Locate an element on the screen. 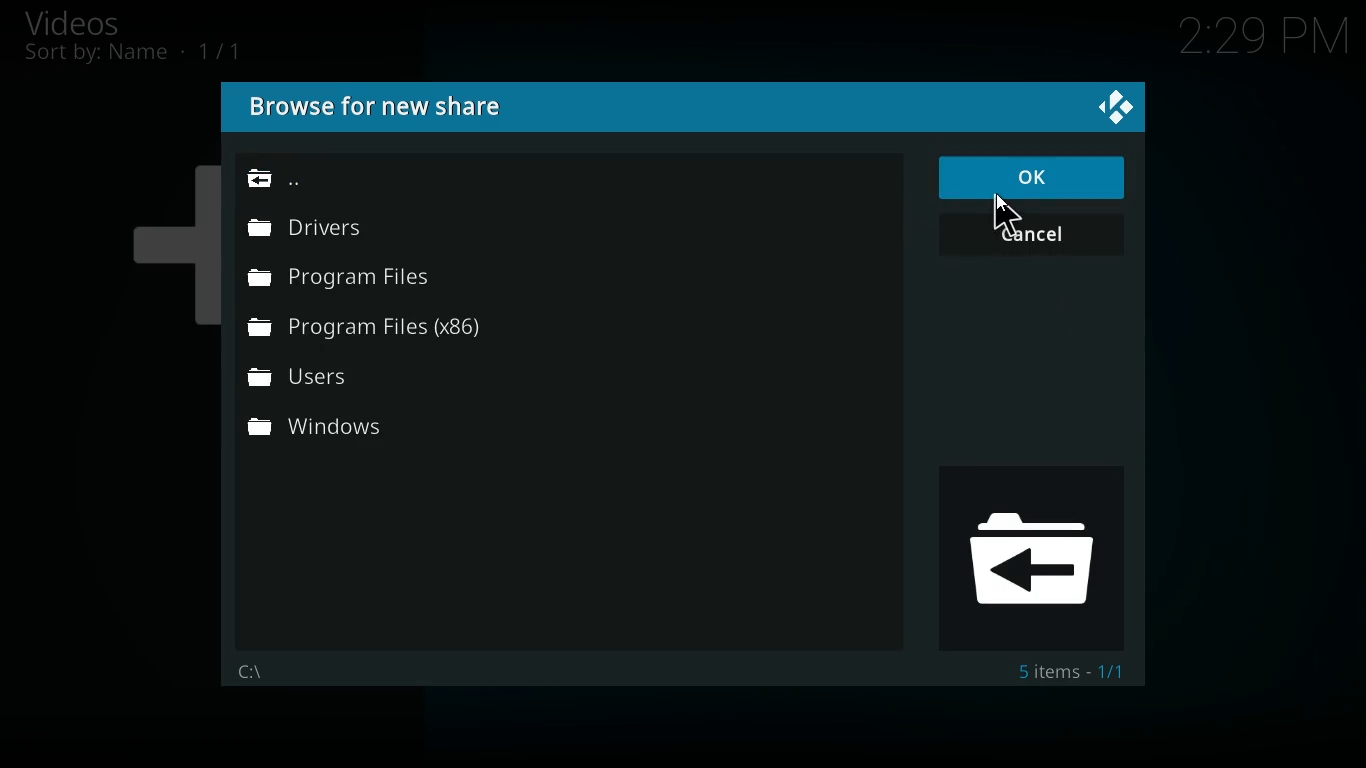 The image size is (1366, 768). program files (x86) is located at coordinates (371, 330).